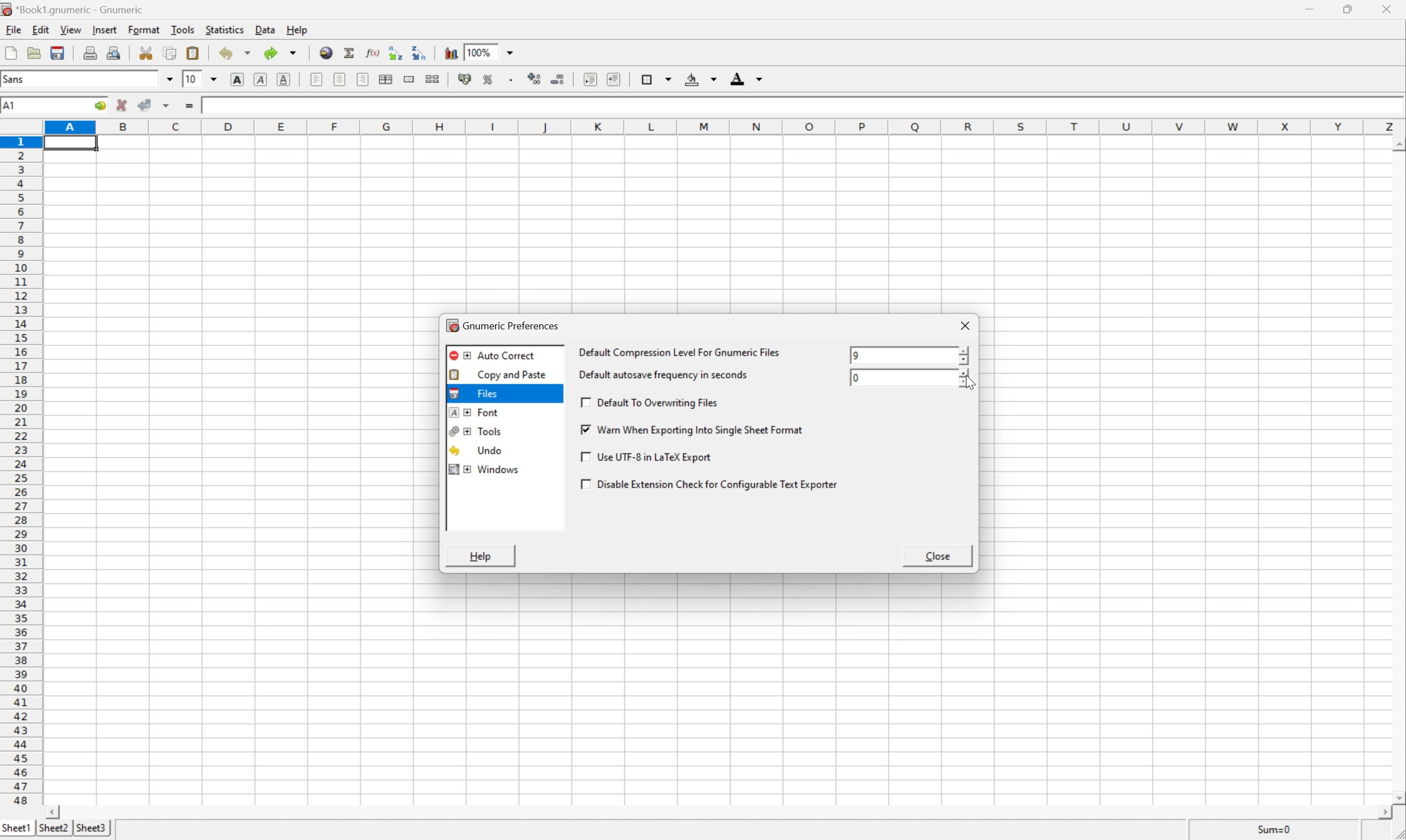  I want to click on tools, so click(181, 31).